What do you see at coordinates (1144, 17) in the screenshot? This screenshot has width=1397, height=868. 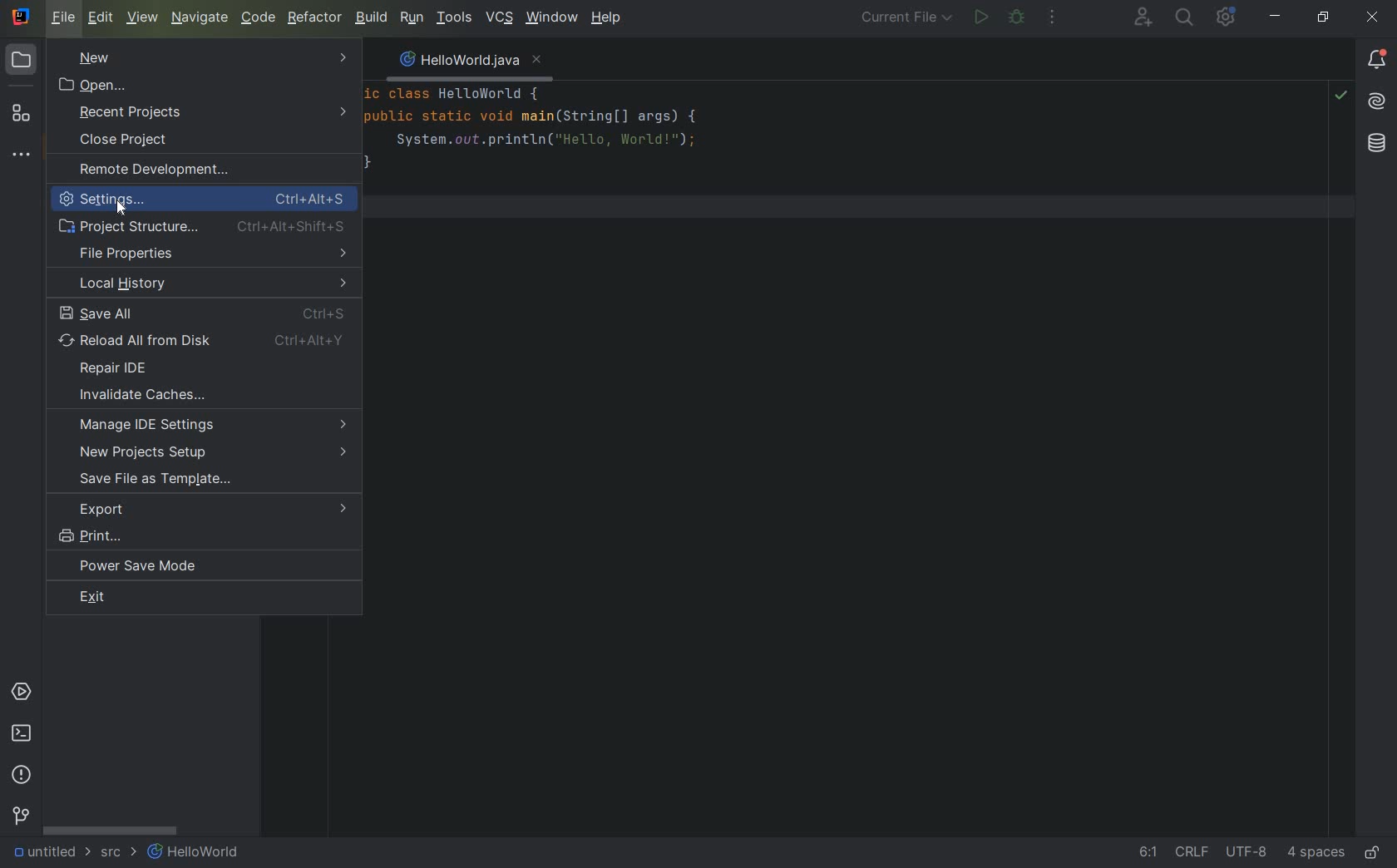 I see `CODE WITH ME` at bounding box center [1144, 17].